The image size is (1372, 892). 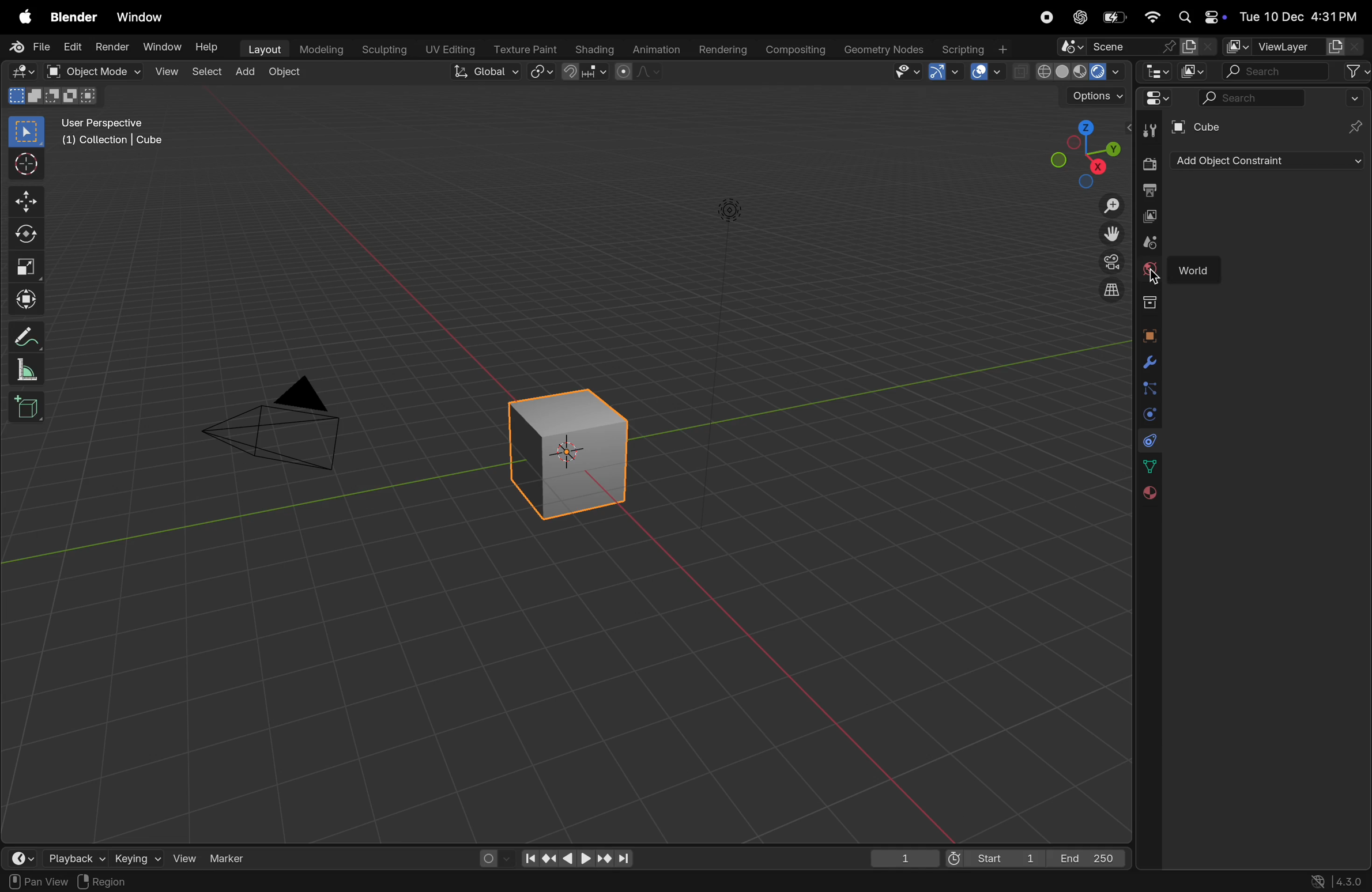 What do you see at coordinates (1146, 302) in the screenshot?
I see `collection` at bounding box center [1146, 302].